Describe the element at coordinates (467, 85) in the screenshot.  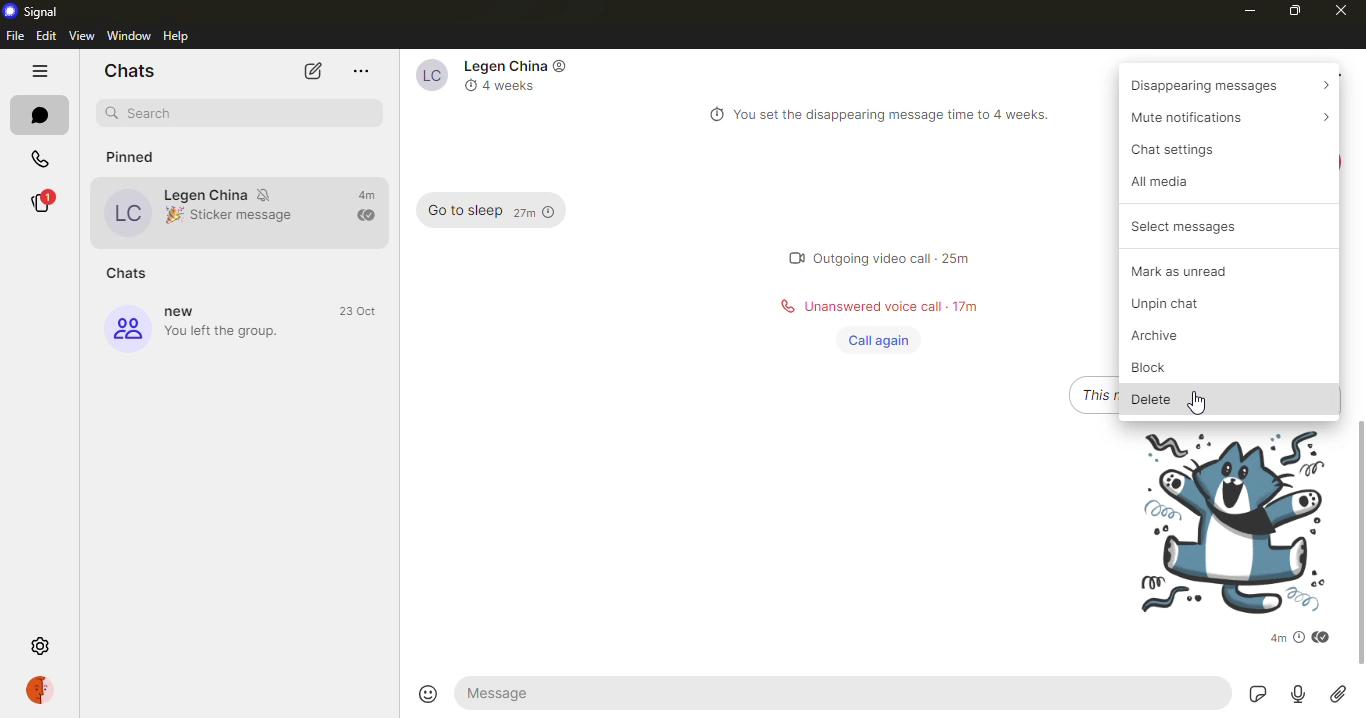
I see `clock logo` at that location.